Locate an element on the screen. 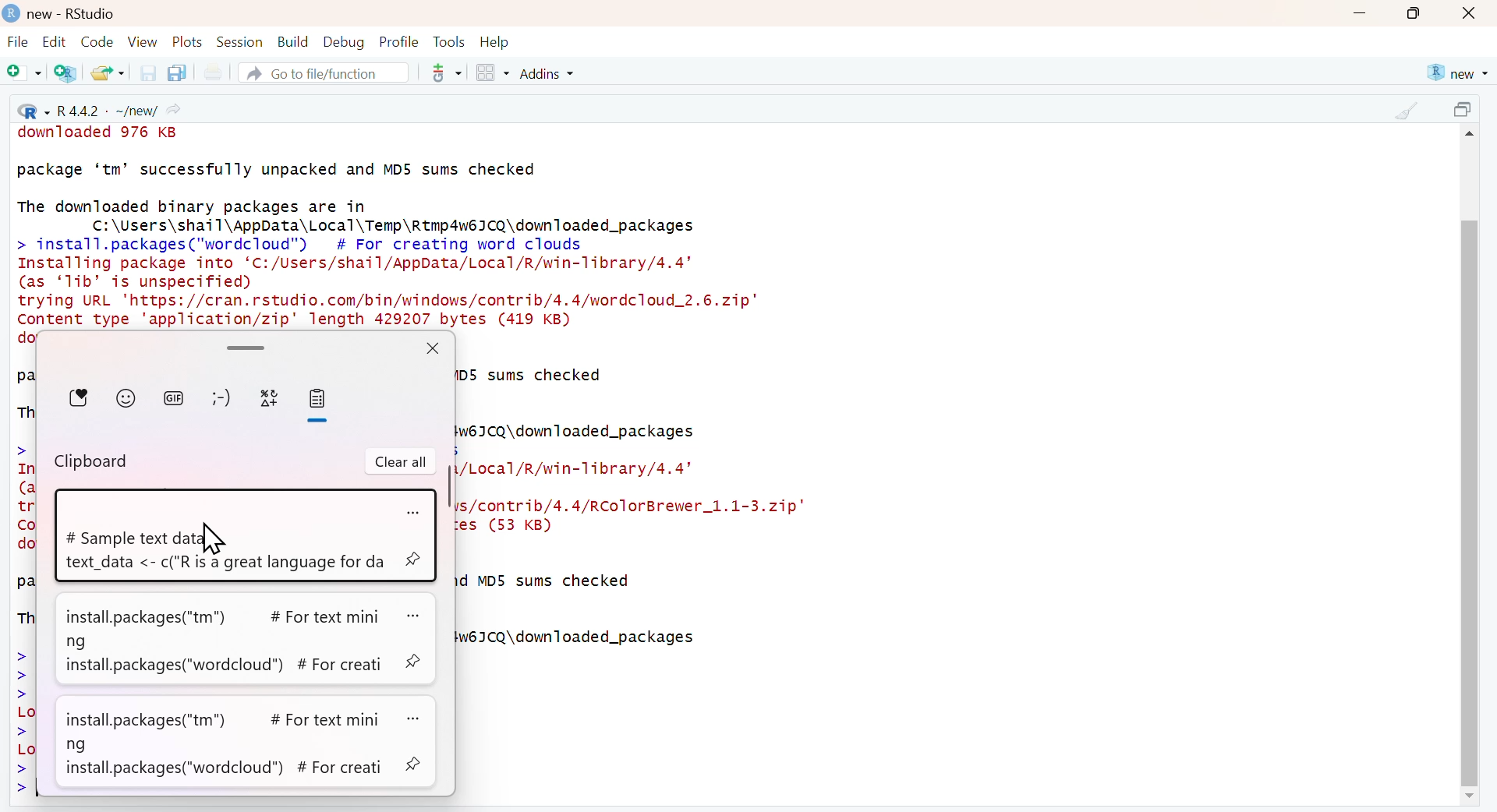 The height and width of the screenshot is (812, 1497). Edit is located at coordinates (53, 42).